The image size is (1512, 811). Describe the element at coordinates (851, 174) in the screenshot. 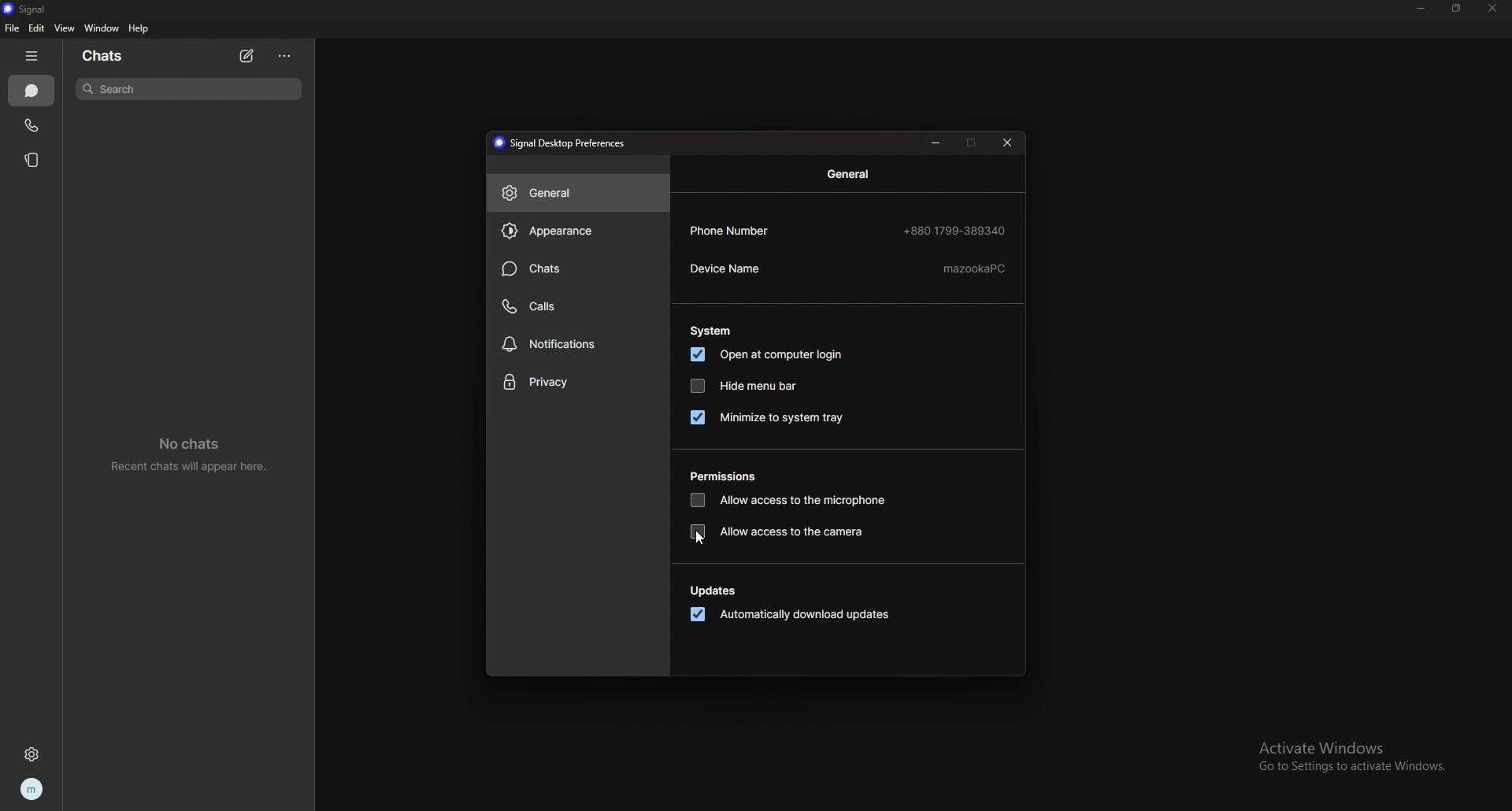

I see `general` at that location.